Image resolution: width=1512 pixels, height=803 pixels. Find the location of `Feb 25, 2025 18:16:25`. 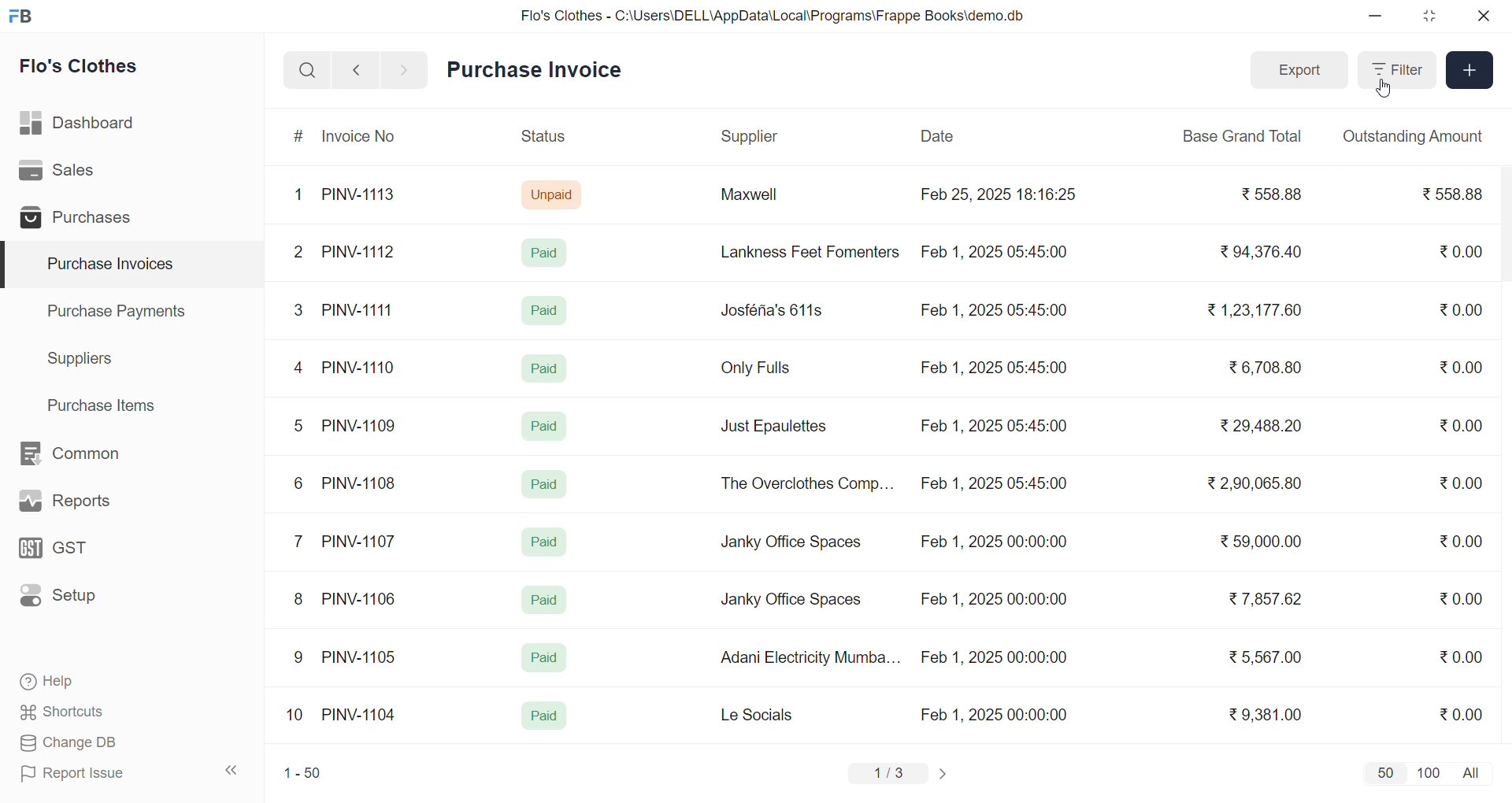

Feb 25, 2025 18:16:25 is located at coordinates (1001, 194).